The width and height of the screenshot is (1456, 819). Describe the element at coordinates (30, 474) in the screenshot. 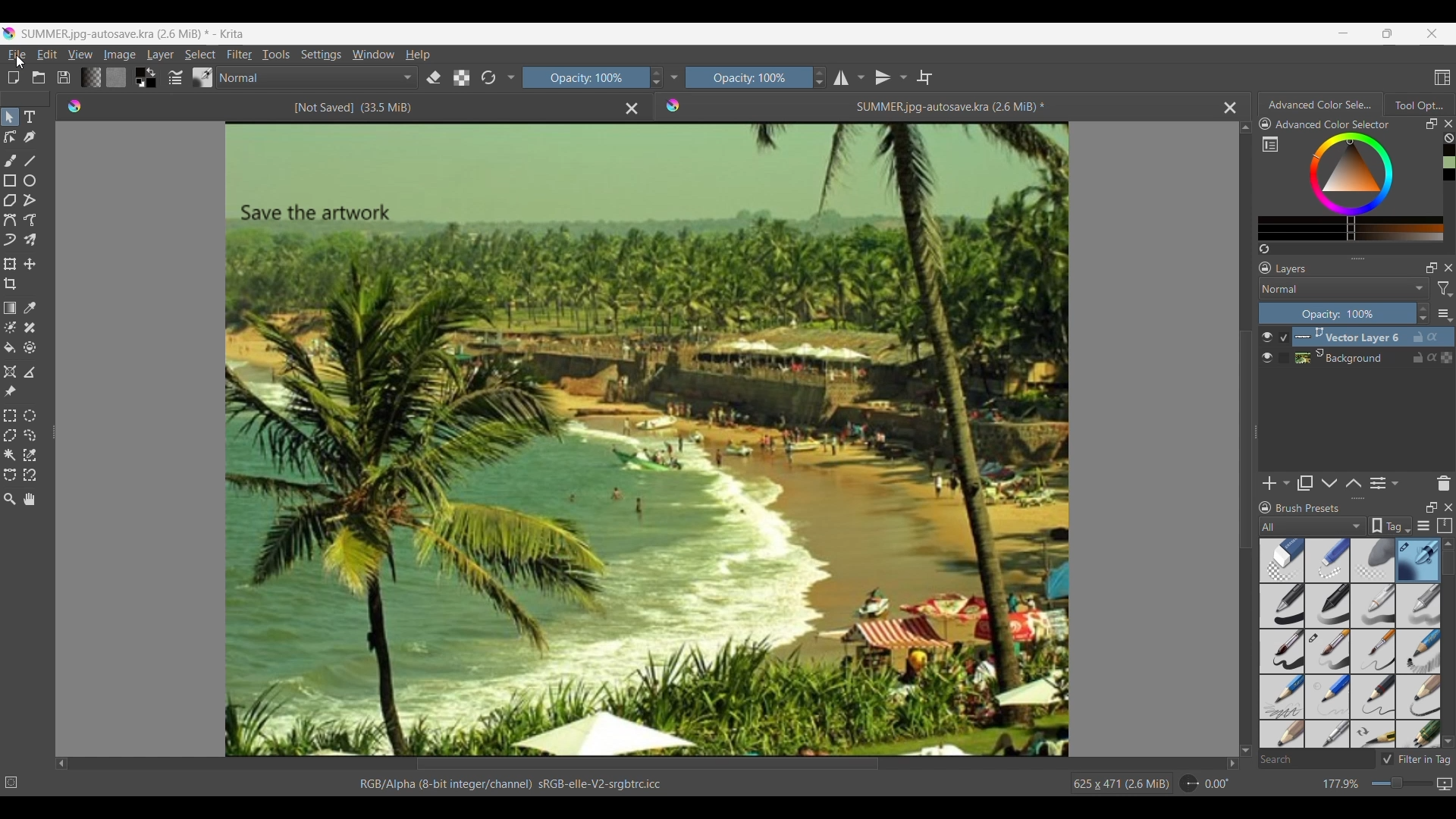

I see `Magnetic curve selection tool` at that location.